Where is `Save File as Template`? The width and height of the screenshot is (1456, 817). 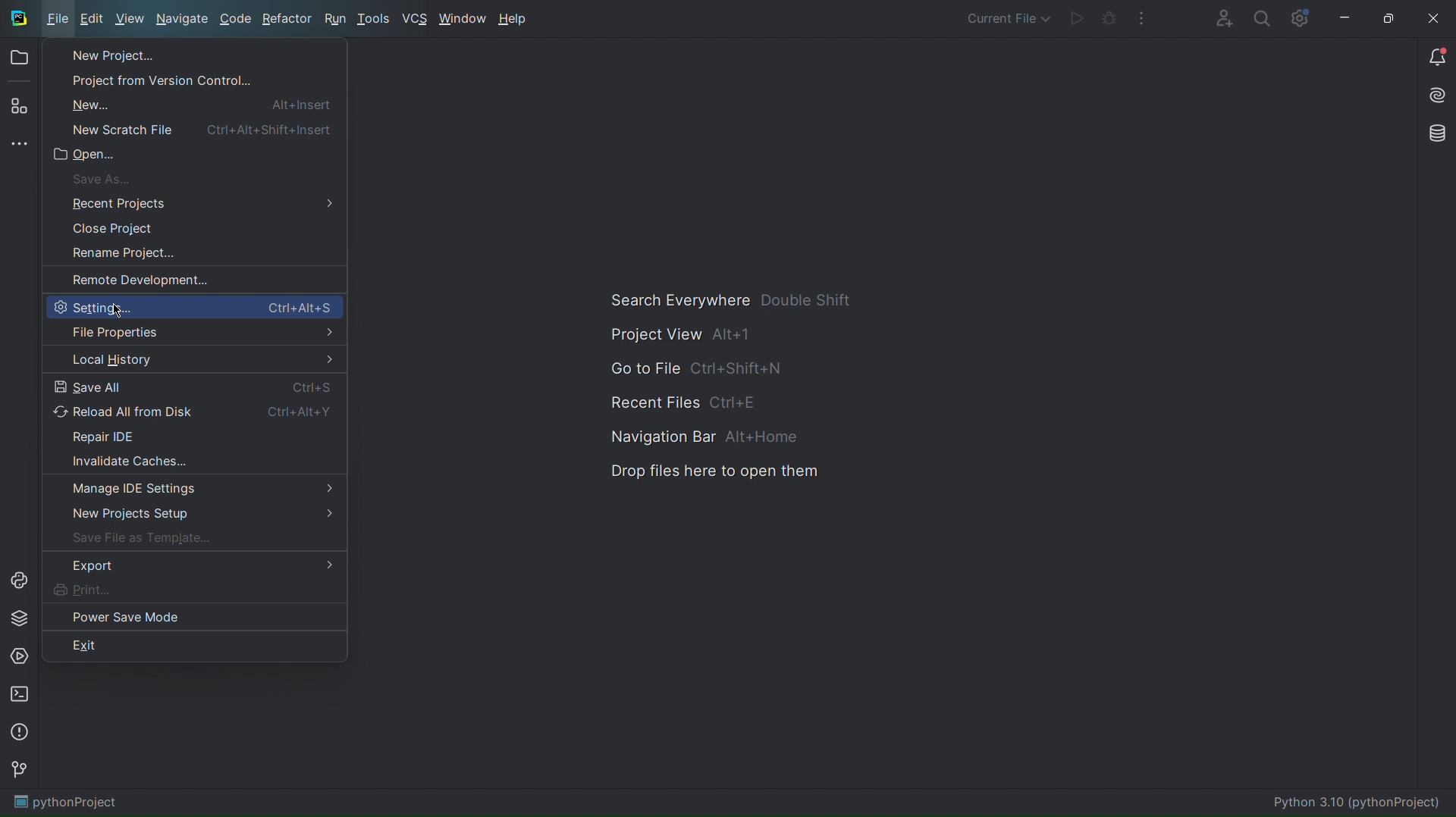
Save File as Template is located at coordinates (193, 542).